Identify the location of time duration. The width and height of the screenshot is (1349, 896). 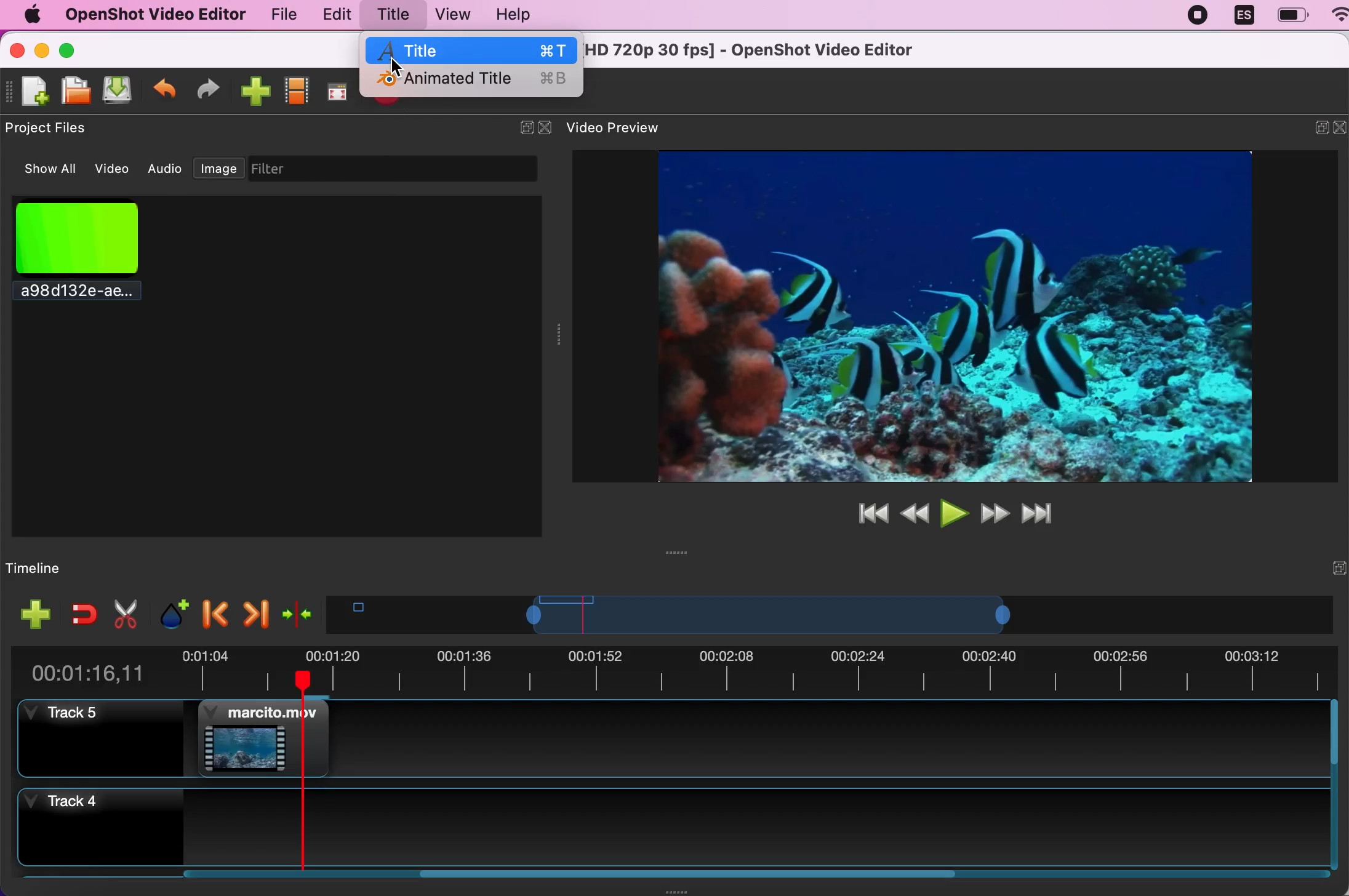
(676, 668).